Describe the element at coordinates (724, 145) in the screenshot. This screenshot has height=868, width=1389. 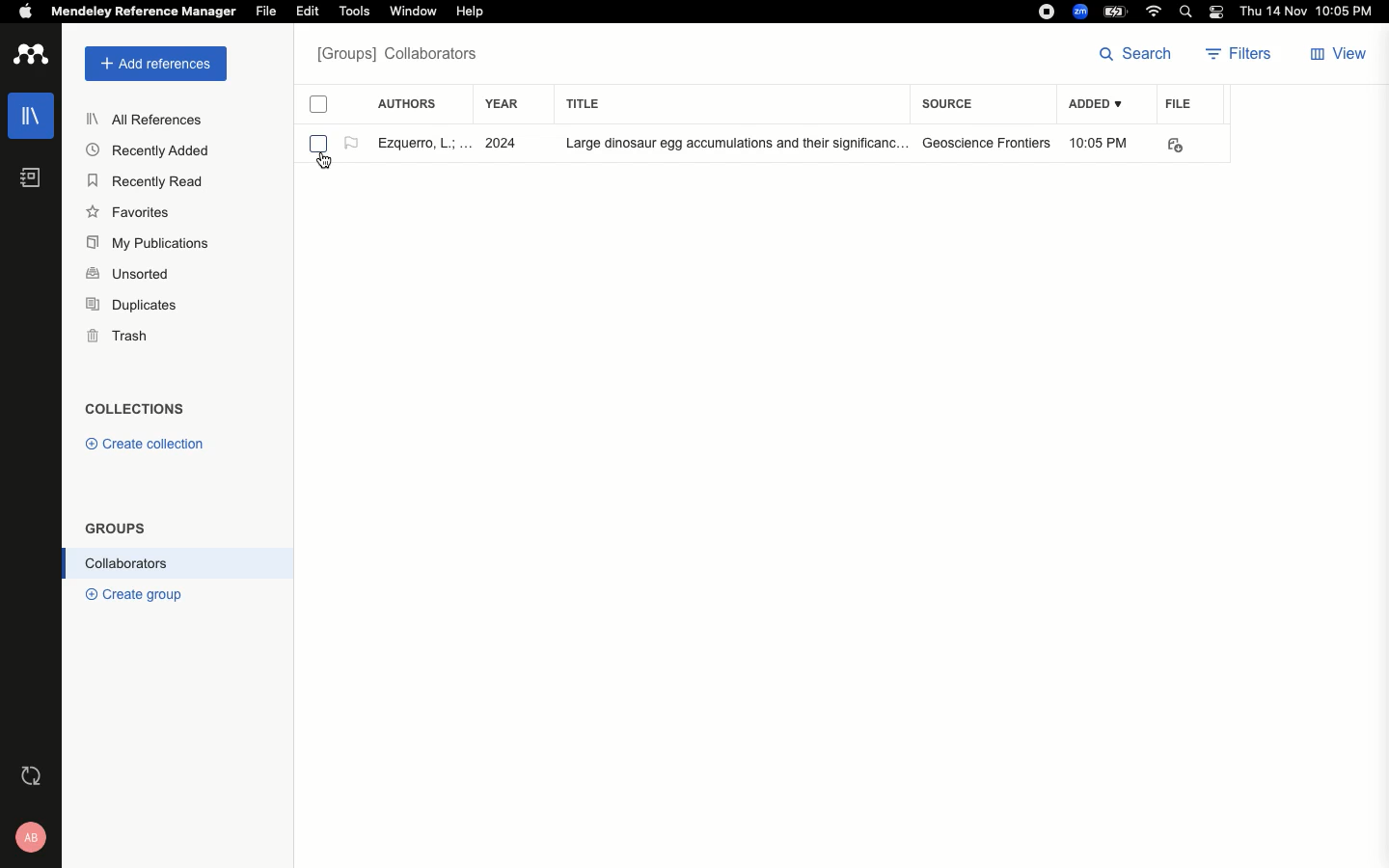
I see `large dinosour egg accy=umulations and thier significances` at that location.